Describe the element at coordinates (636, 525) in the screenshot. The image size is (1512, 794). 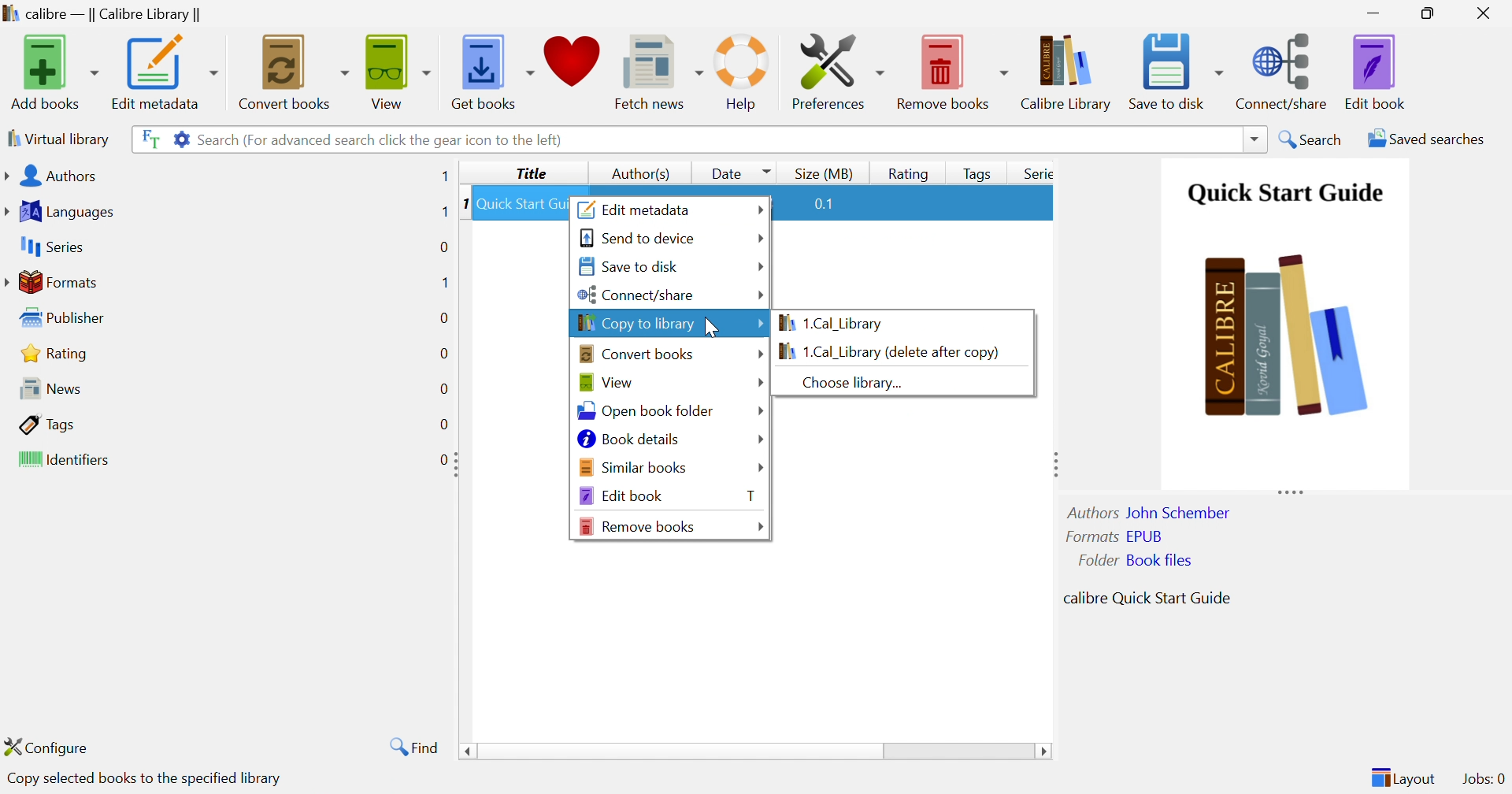
I see `Remove` at that location.